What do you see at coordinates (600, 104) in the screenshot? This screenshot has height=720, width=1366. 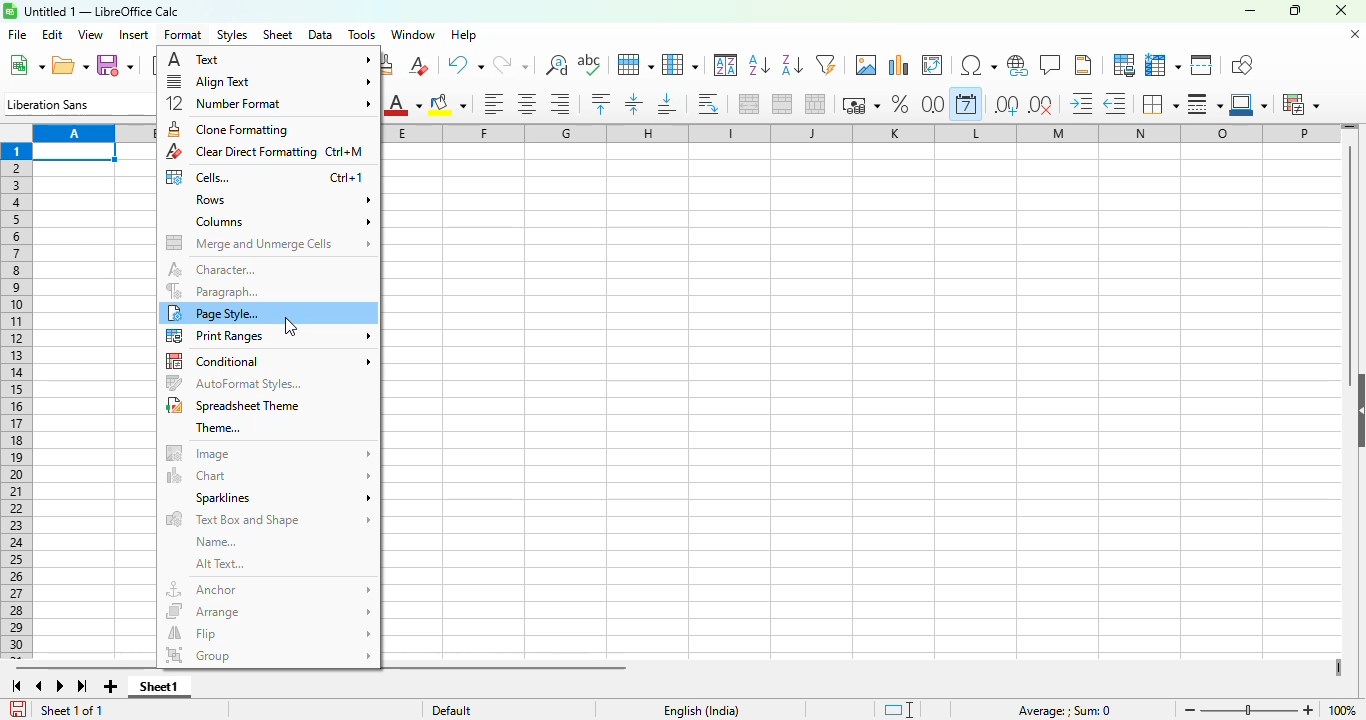 I see `align top` at bounding box center [600, 104].